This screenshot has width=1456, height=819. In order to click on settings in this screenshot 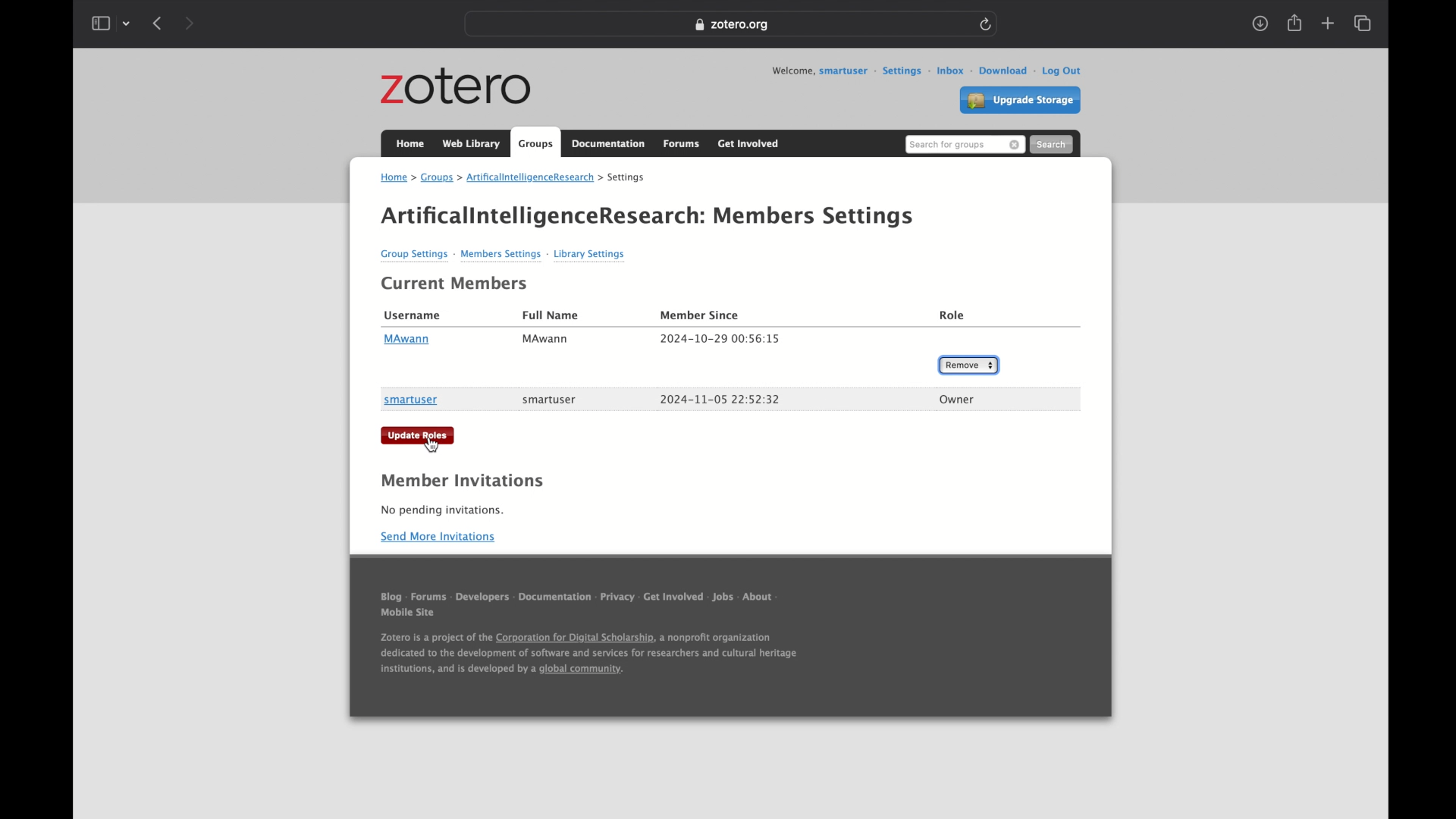, I will do `click(897, 71)`.